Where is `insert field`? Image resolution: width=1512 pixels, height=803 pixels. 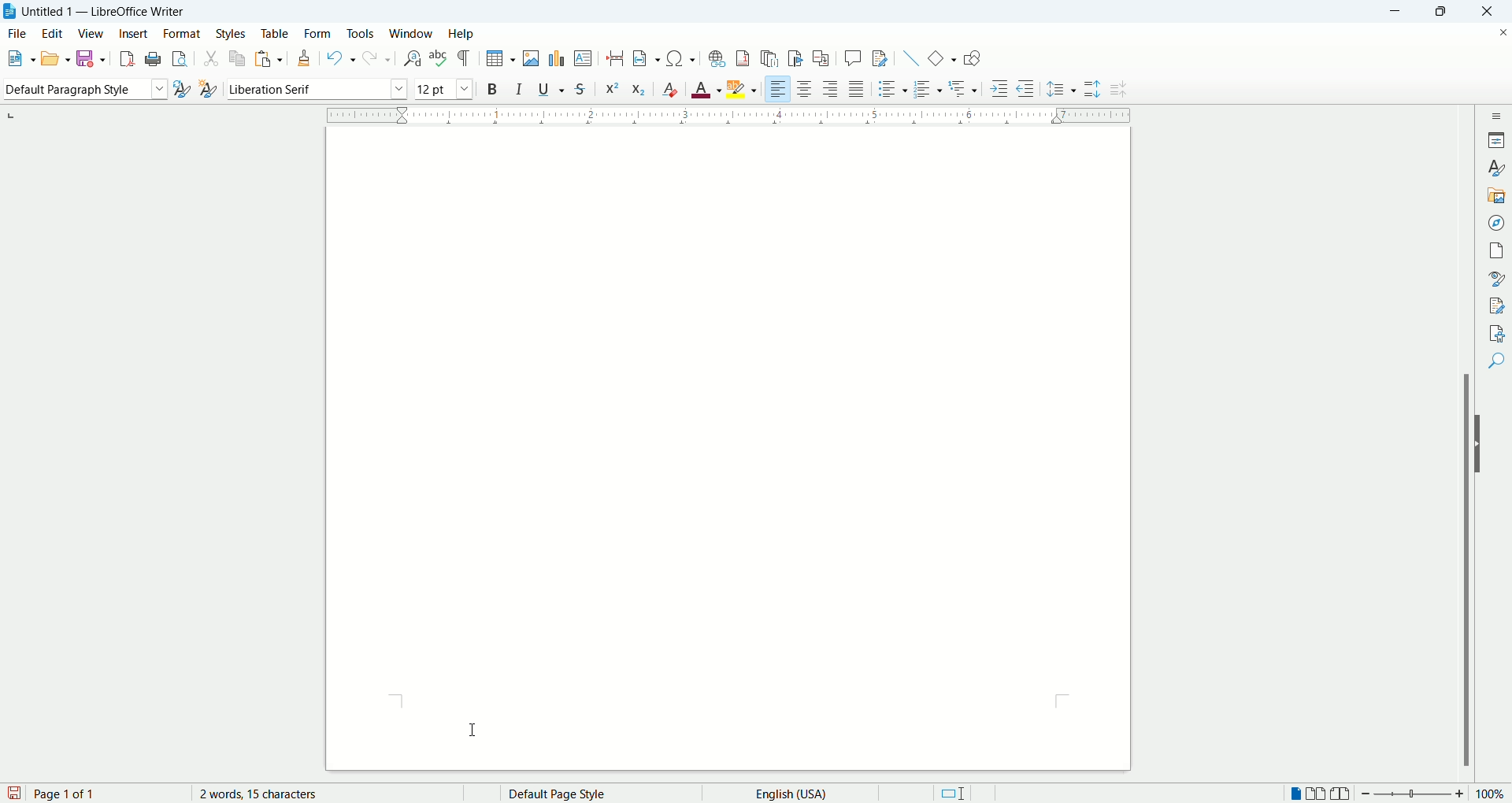
insert field is located at coordinates (646, 59).